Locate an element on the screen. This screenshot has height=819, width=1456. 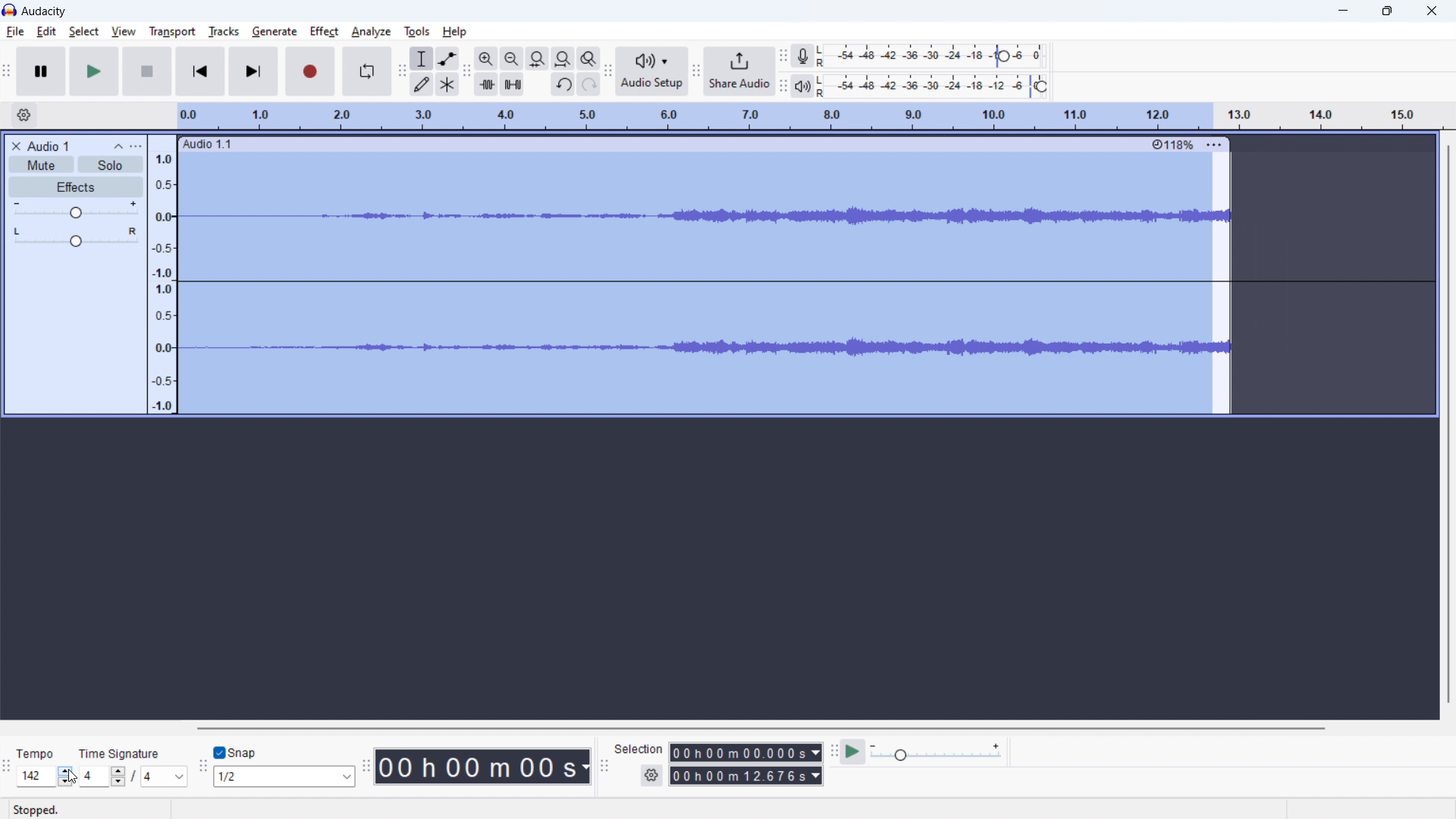
tools is located at coordinates (416, 32).